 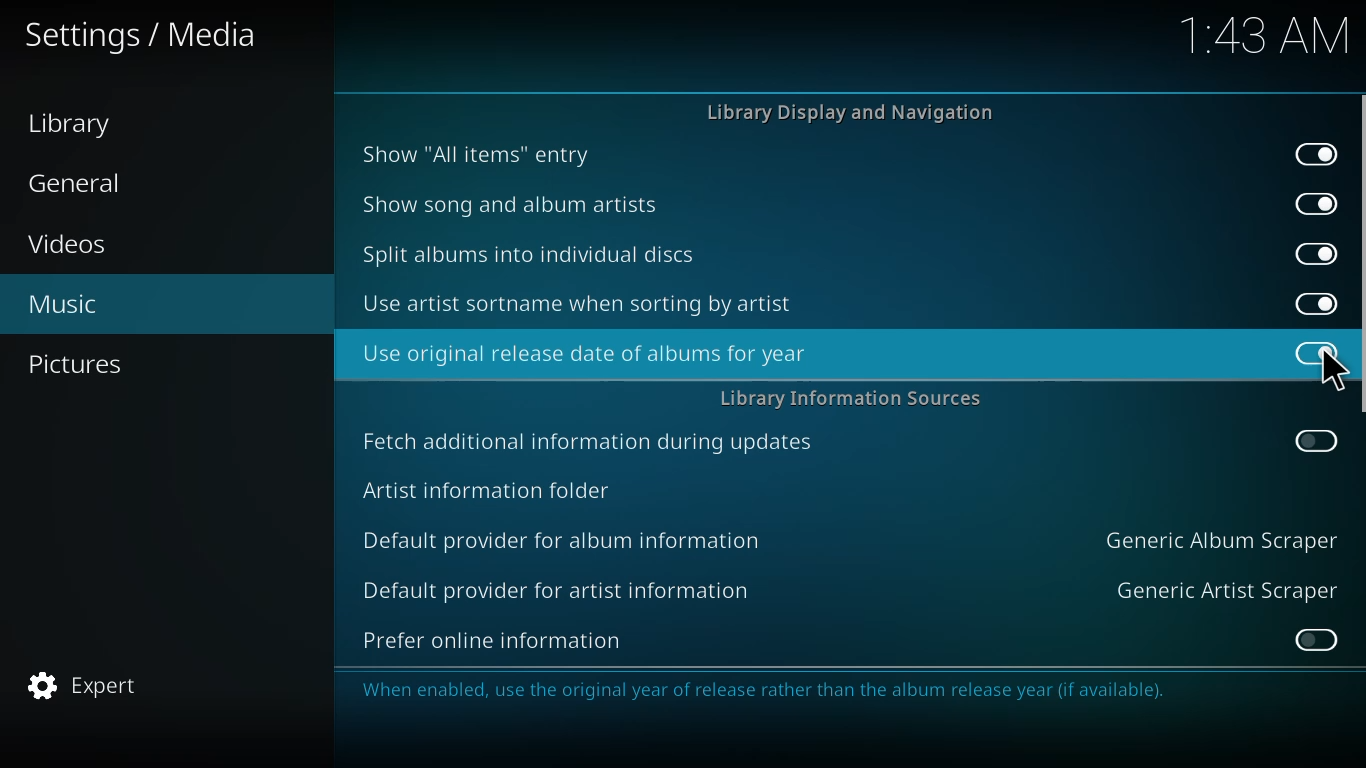 What do you see at coordinates (1313, 301) in the screenshot?
I see `enabled` at bounding box center [1313, 301].